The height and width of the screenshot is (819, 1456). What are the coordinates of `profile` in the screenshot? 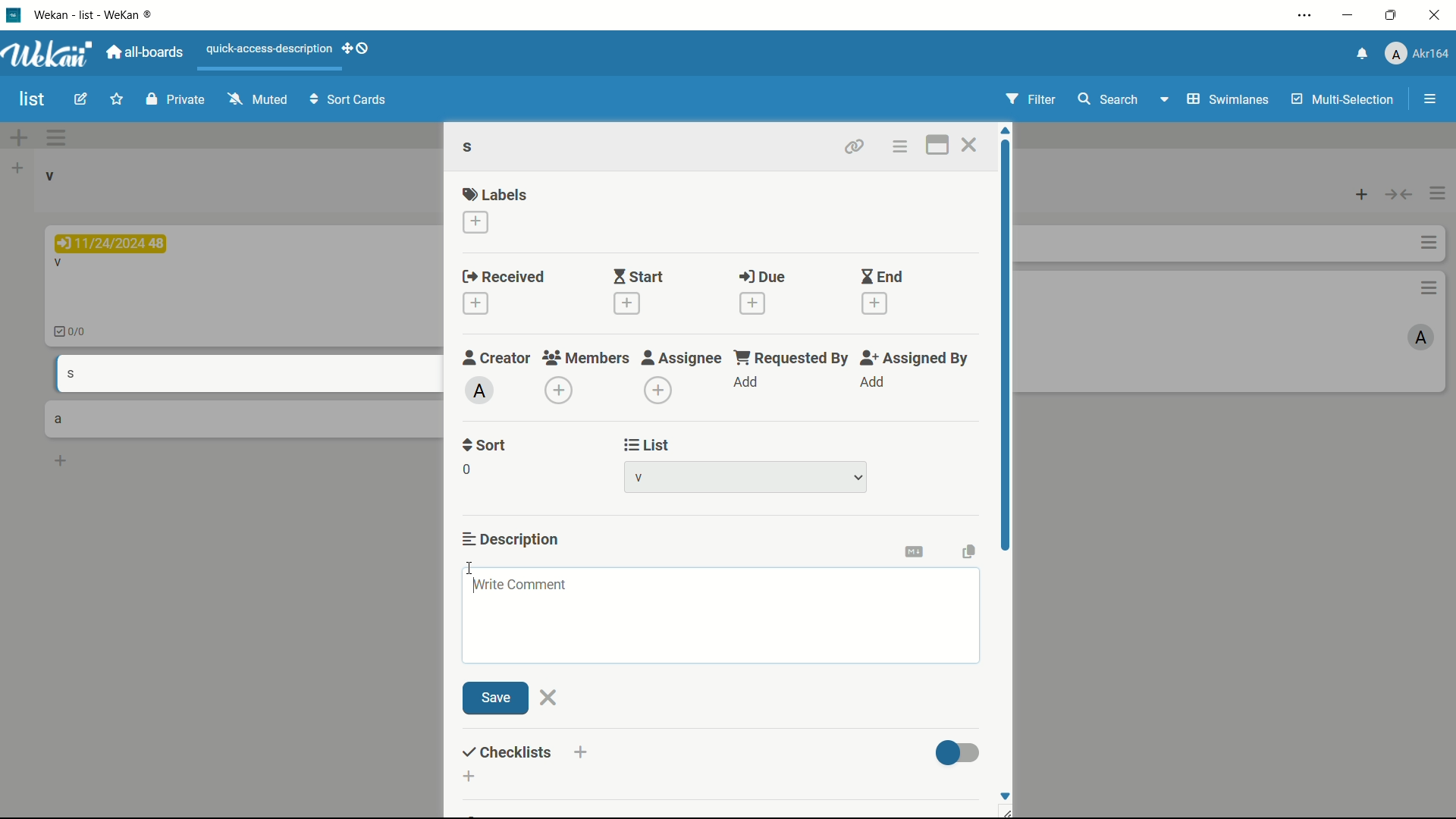 It's located at (1419, 52).